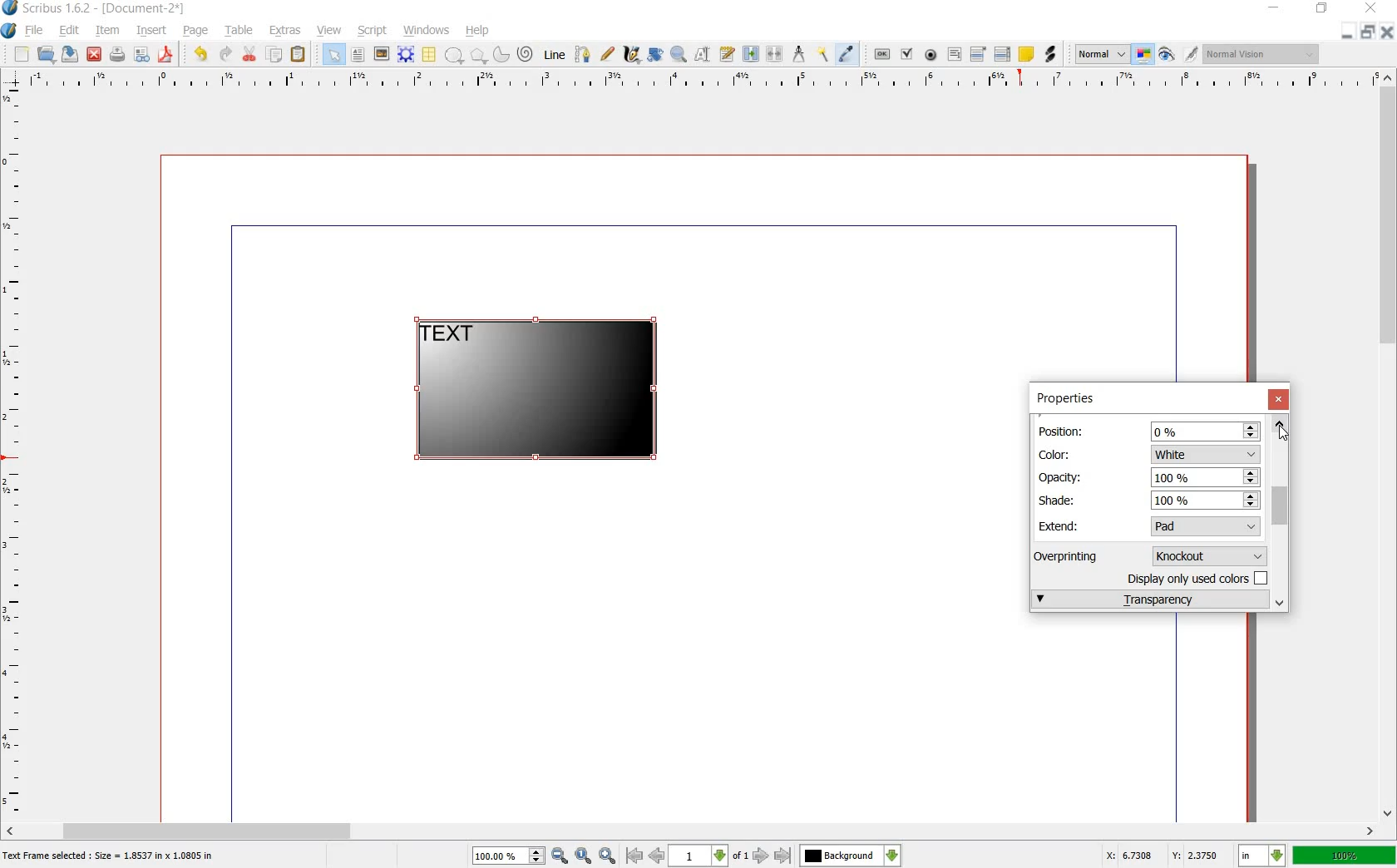  Describe the element at coordinates (1192, 55) in the screenshot. I see `edit in preview mode` at that location.